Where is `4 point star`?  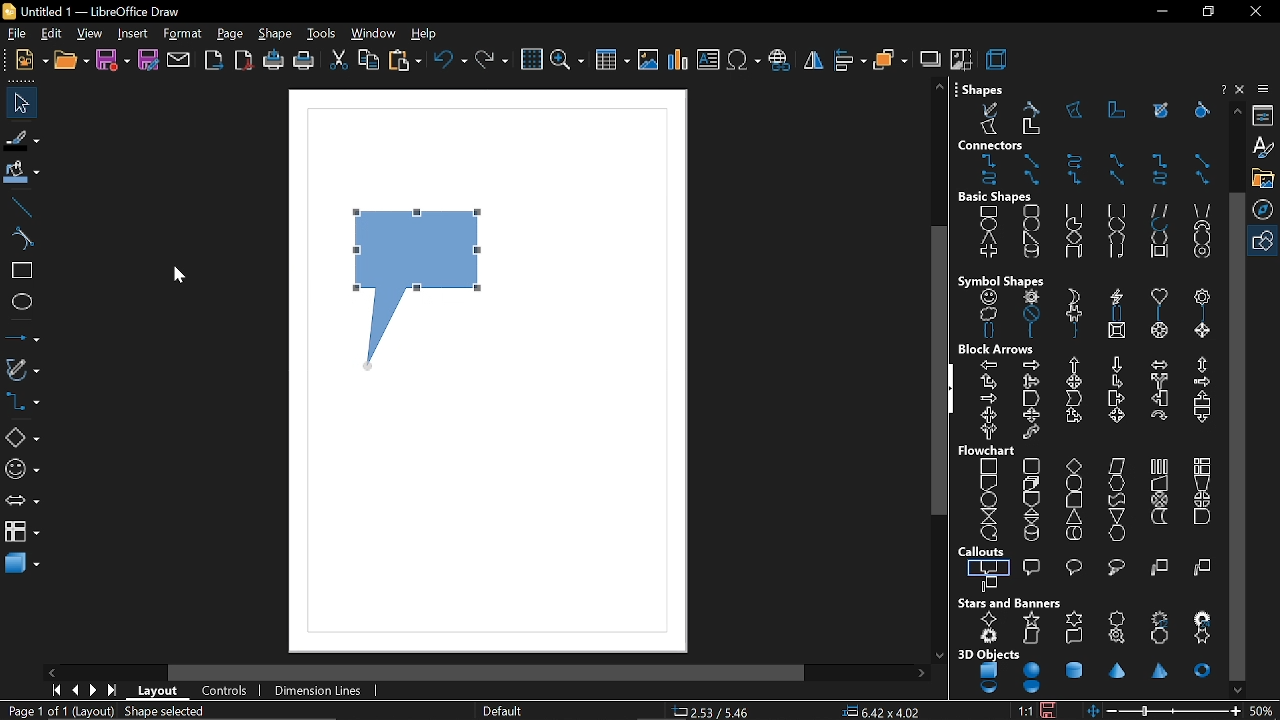
4 point star is located at coordinates (990, 619).